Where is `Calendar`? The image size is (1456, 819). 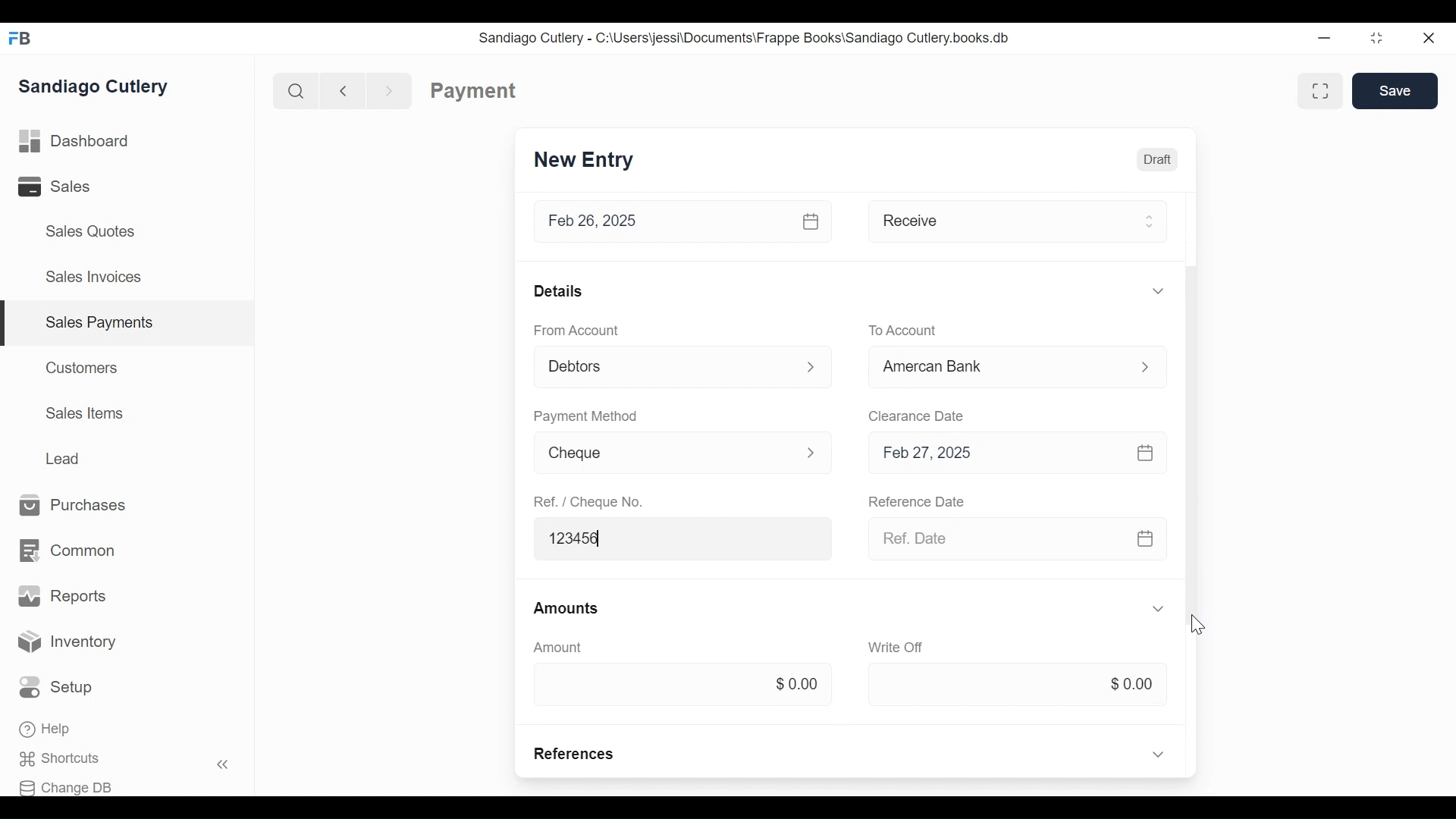 Calendar is located at coordinates (1146, 453).